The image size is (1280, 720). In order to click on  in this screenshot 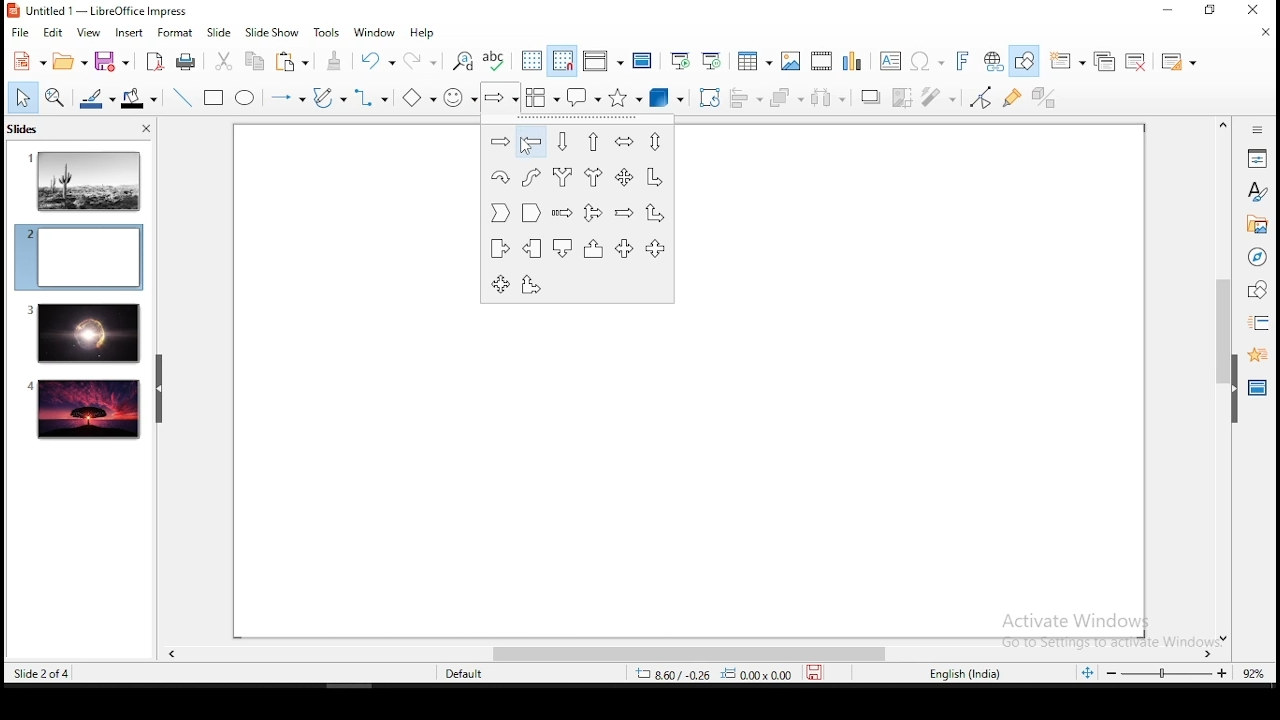, I will do `click(1099, 629)`.